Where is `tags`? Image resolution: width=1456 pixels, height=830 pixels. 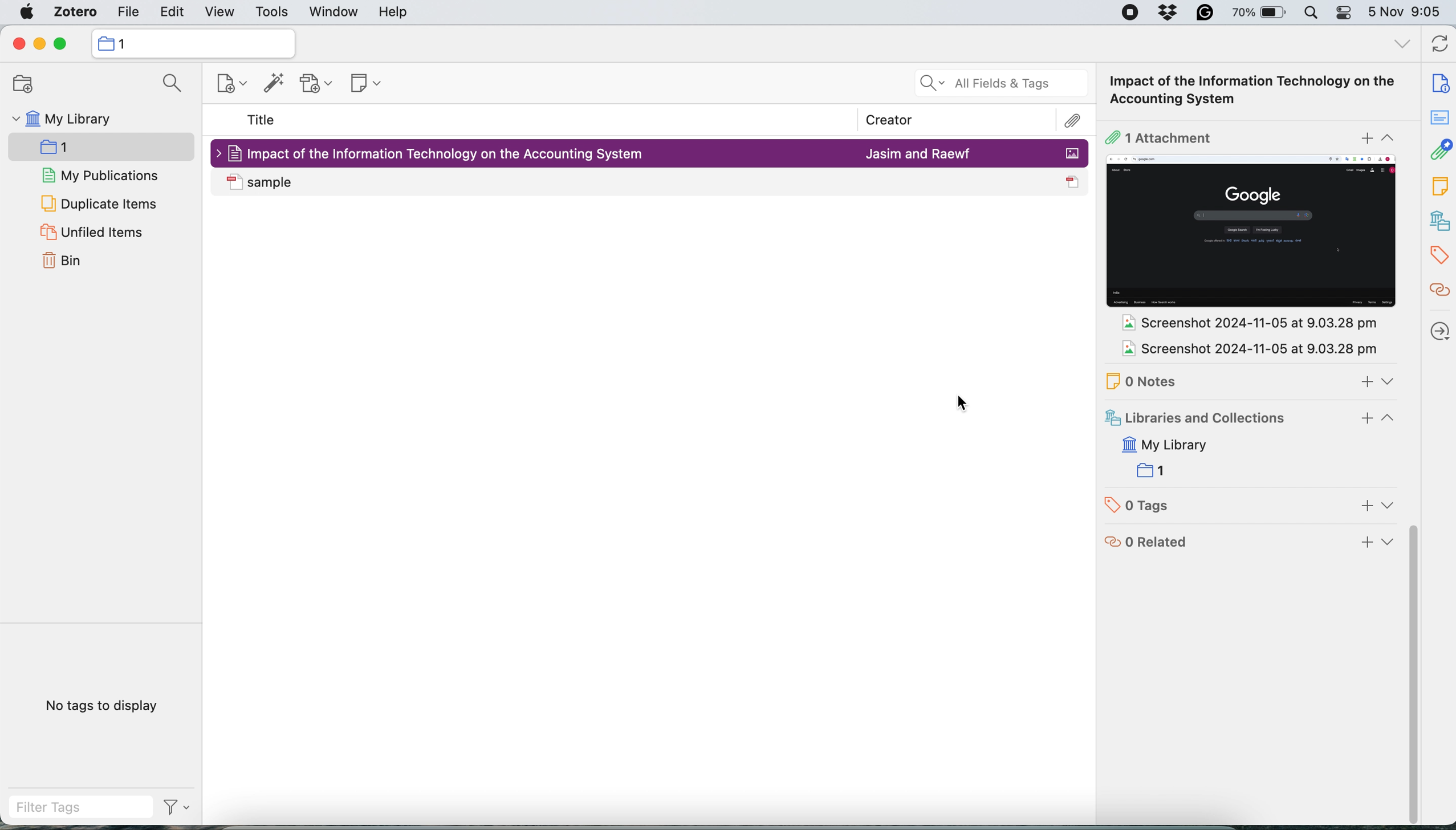
tags is located at coordinates (1258, 506).